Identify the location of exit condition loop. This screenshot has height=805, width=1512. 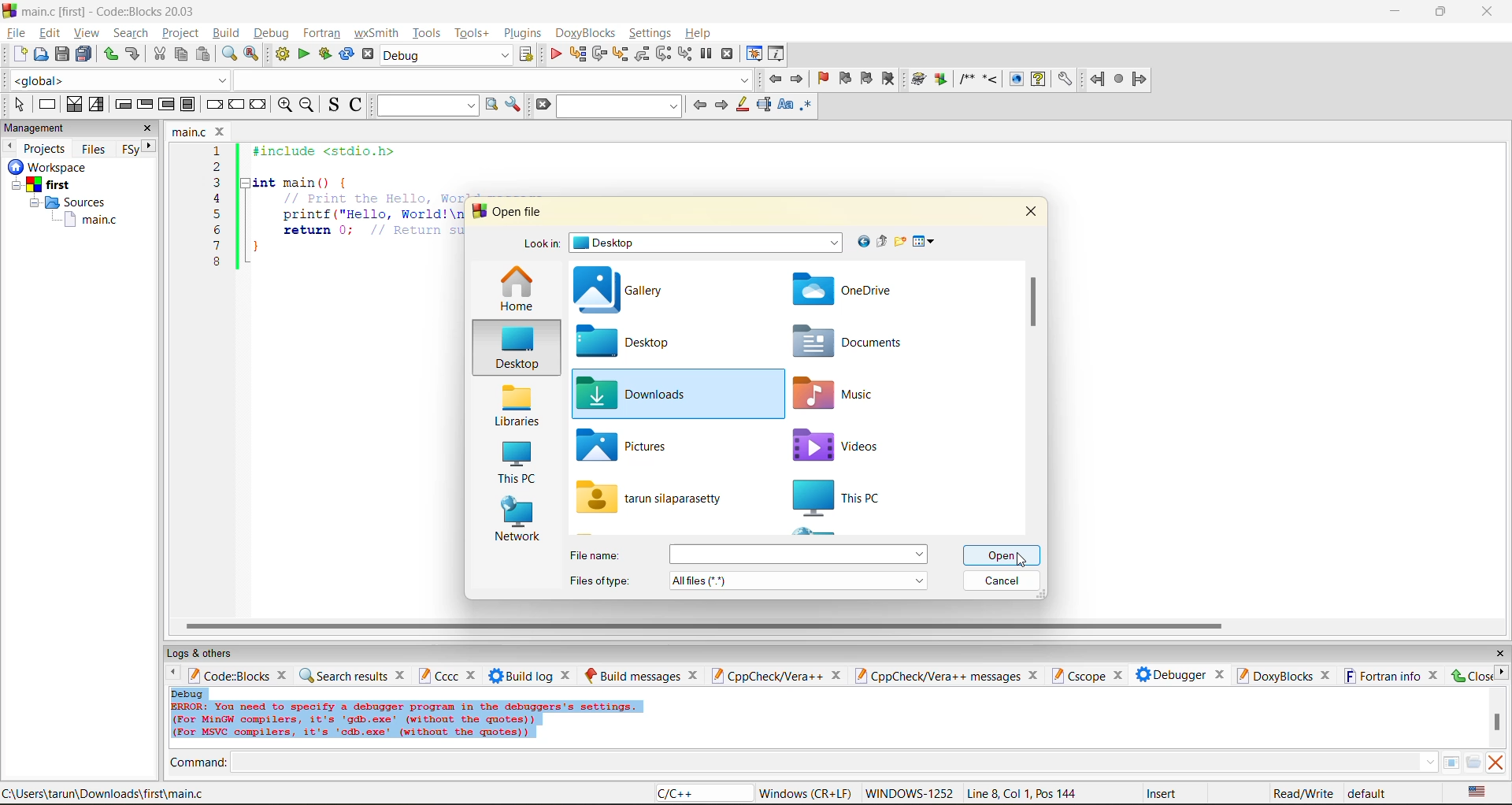
(145, 106).